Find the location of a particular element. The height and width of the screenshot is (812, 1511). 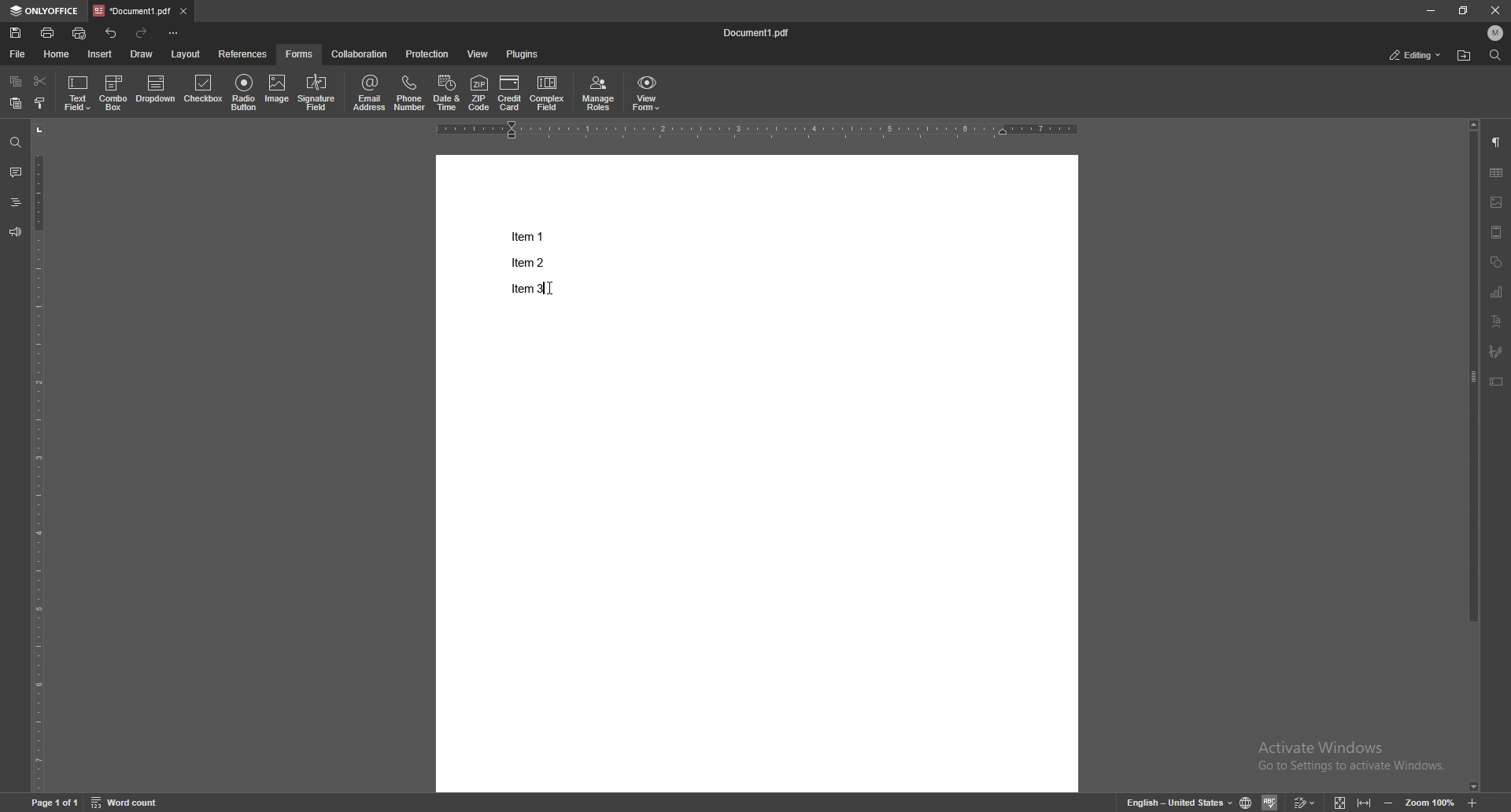

home is located at coordinates (60, 54).